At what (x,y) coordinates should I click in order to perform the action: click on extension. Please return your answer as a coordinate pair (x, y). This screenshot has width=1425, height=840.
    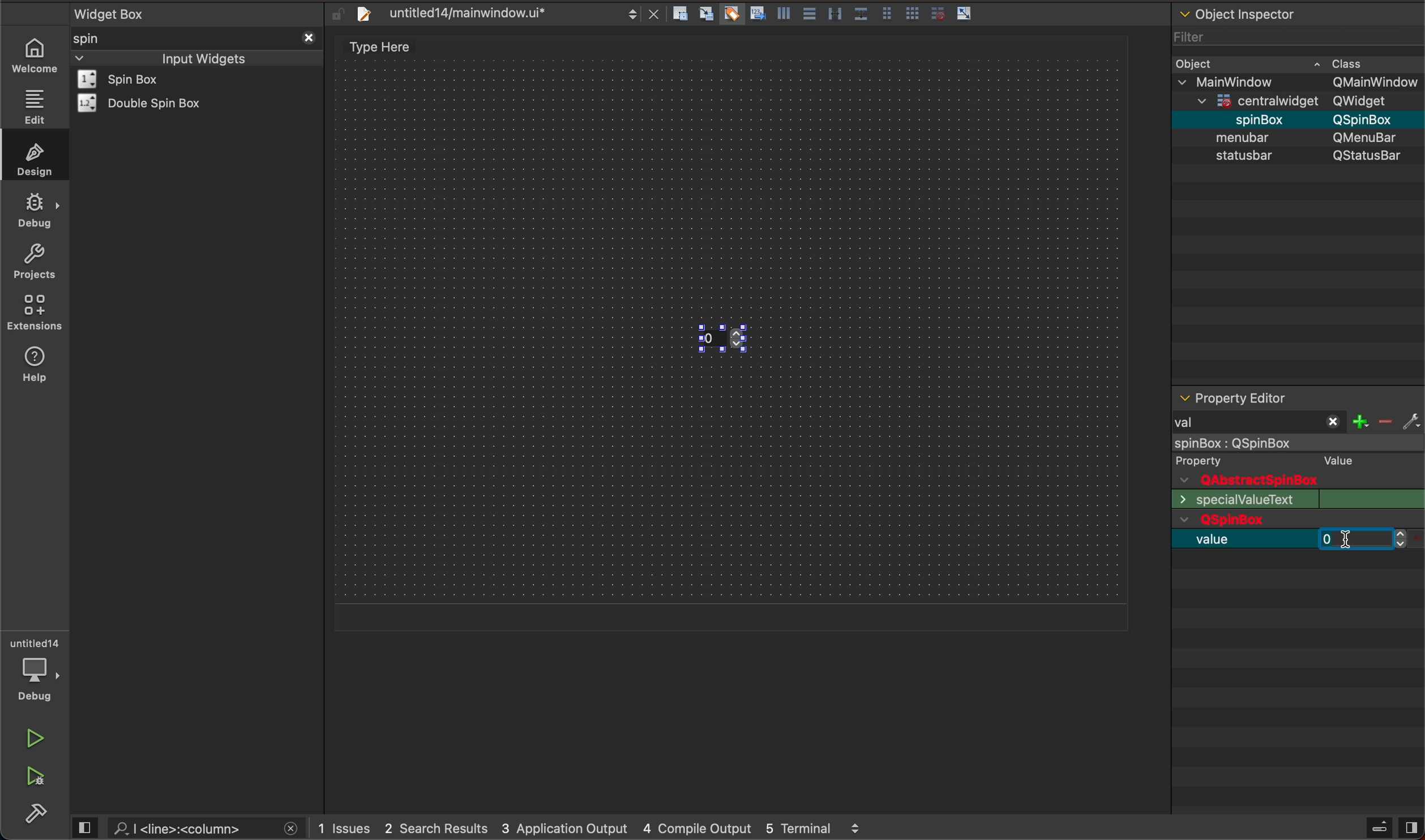
    Looking at the image, I should click on (35, 313).